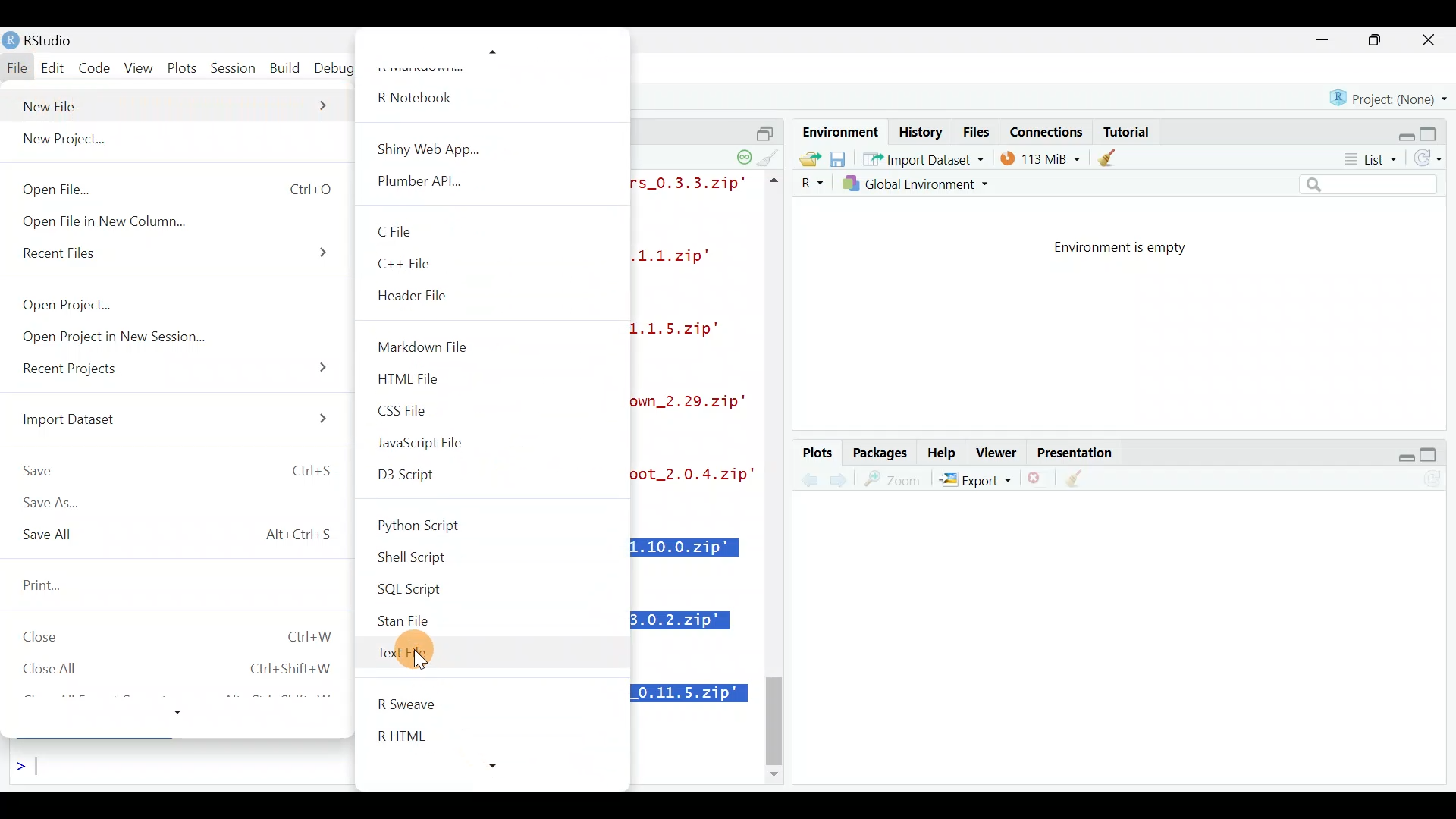 Image resolution: width=1456 pixels, height=819 pixels. Describe the element at coordinates (1379, 39) in the screenshot. I see `maximize` at that location.